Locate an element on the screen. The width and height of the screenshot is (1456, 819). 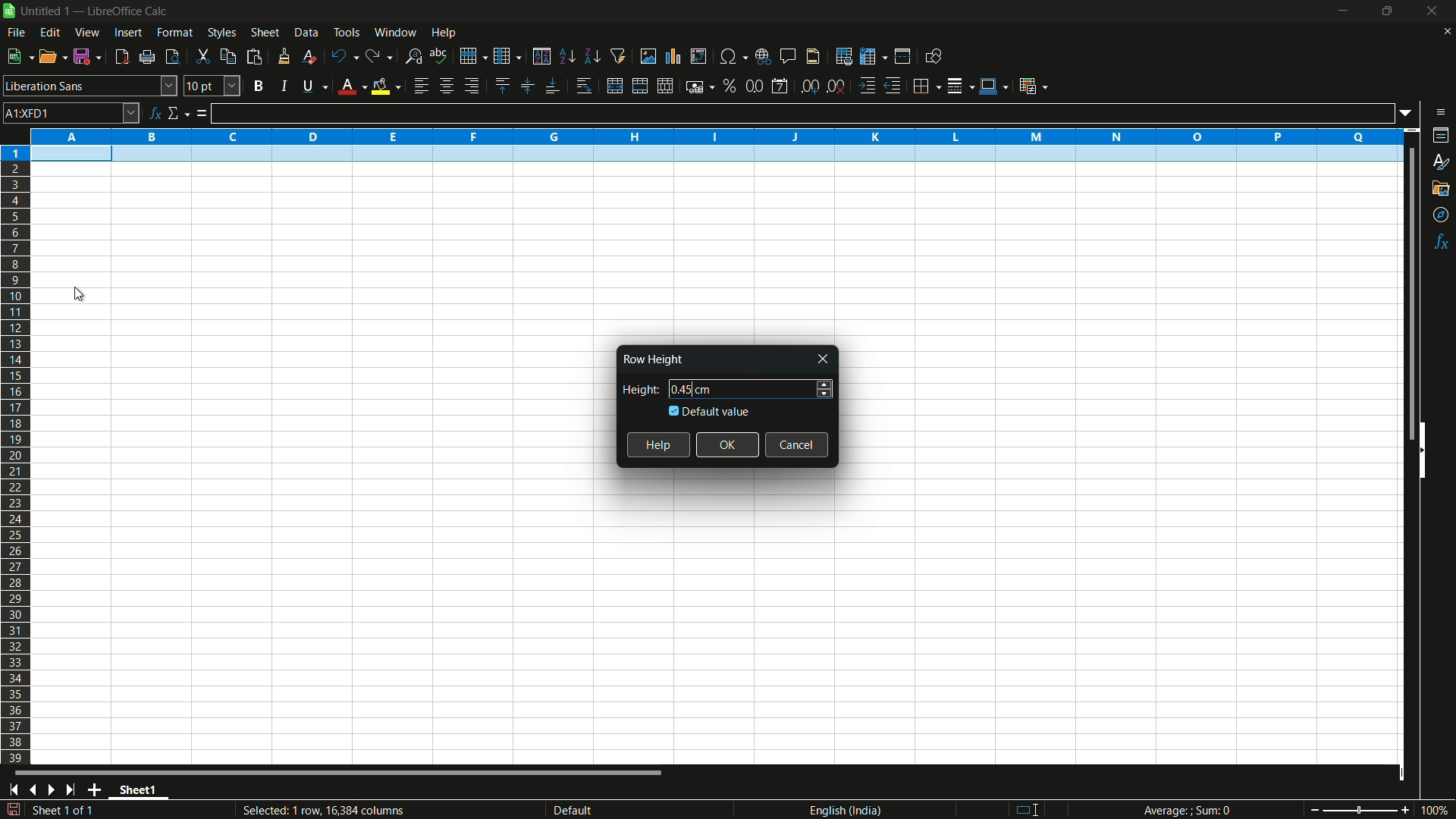
view menu is located at coordinates (88, 33).